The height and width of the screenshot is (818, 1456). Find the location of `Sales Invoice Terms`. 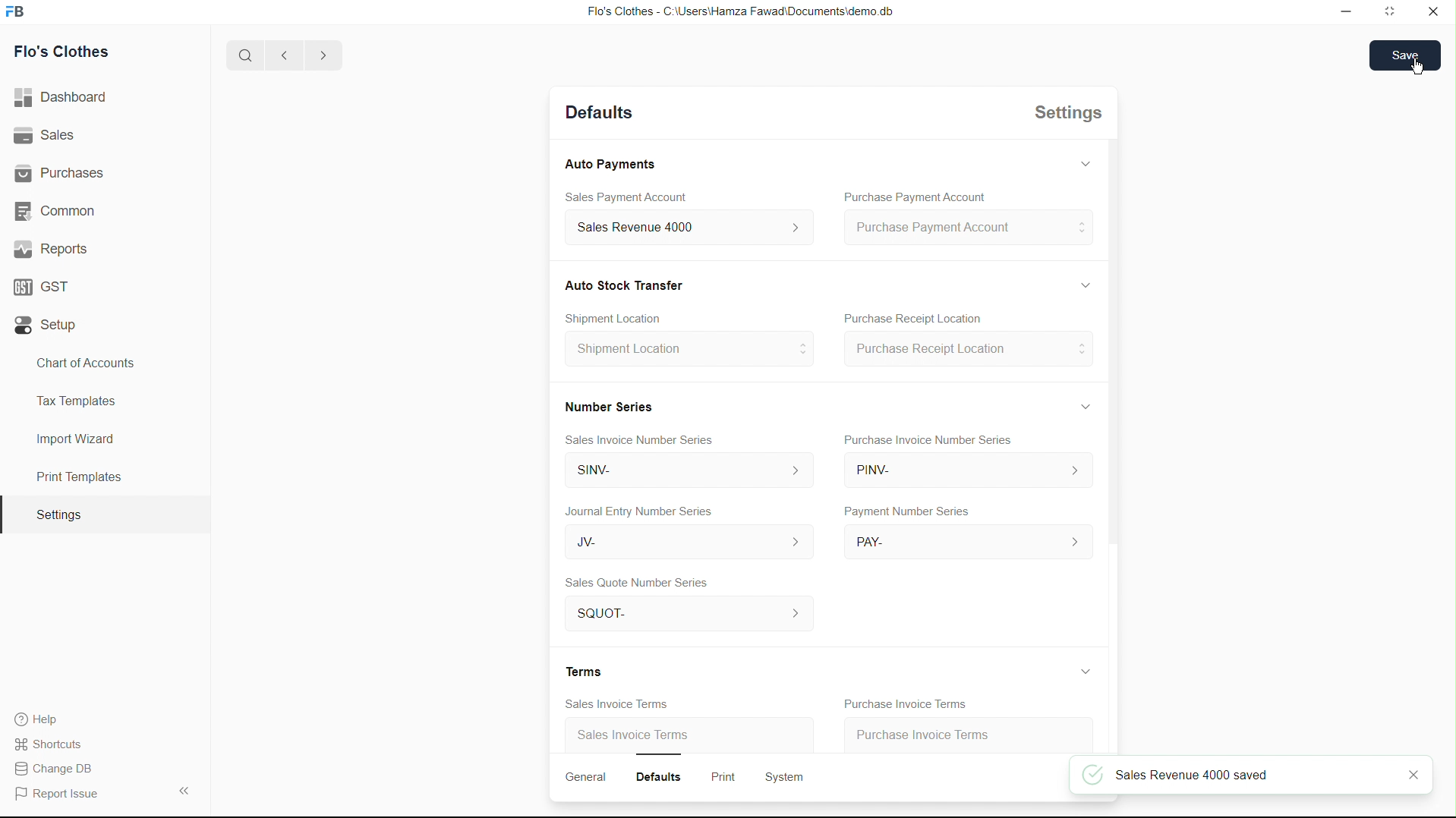

Sales Invoice Terms is located at coordinates (618, 703).